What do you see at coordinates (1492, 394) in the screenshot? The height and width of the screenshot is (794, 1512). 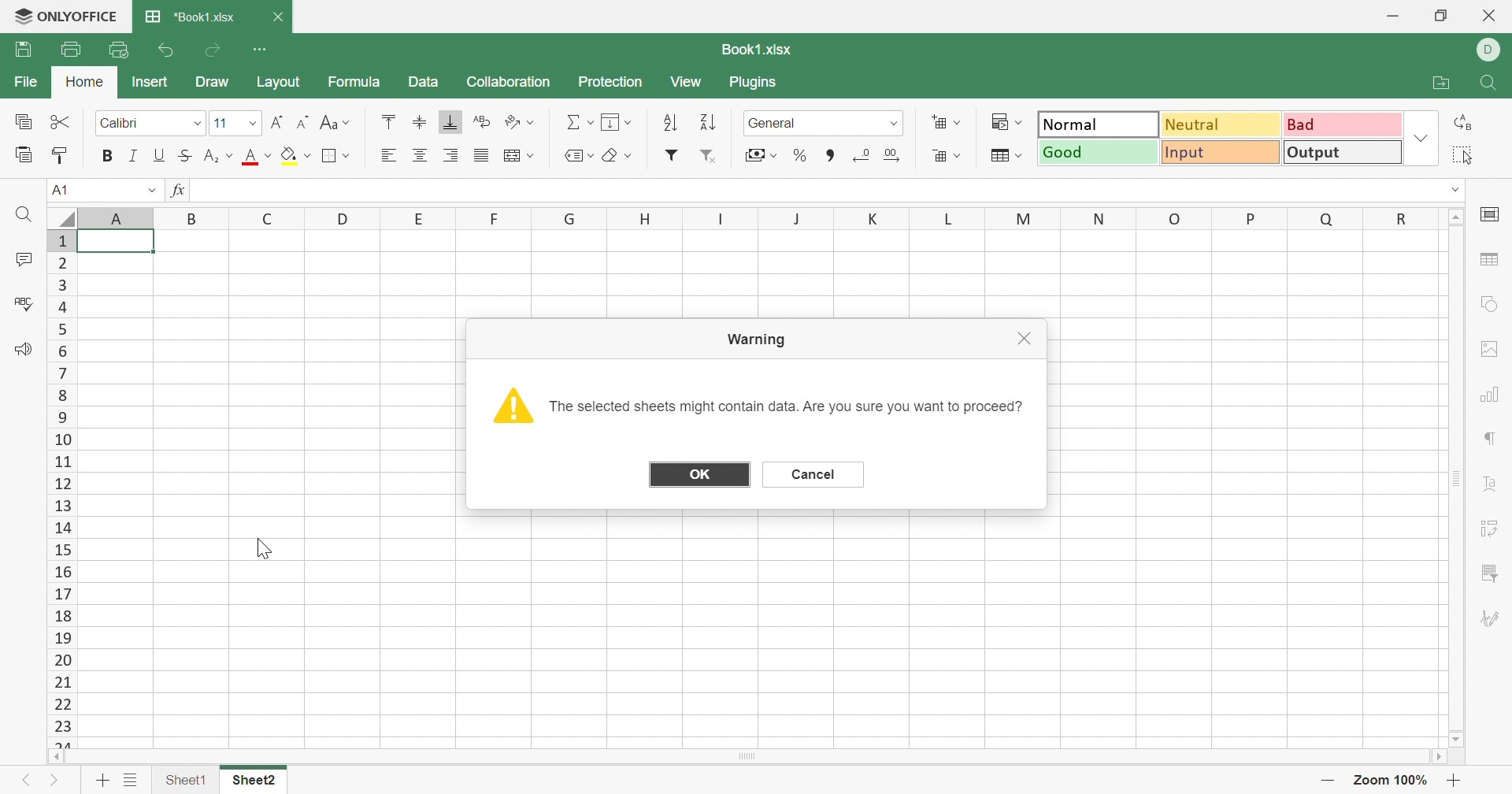 I see `chart settings` at bounding box center [1492, 394].